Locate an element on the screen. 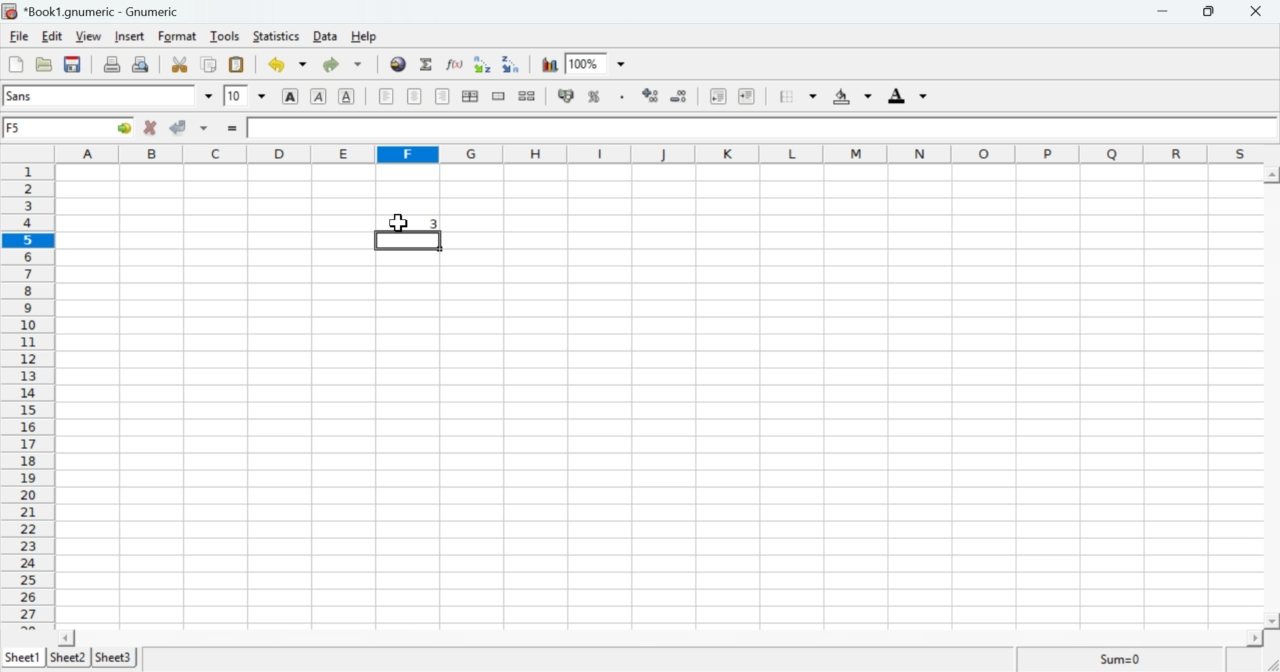  Sum is located at coordinates (426, 63).